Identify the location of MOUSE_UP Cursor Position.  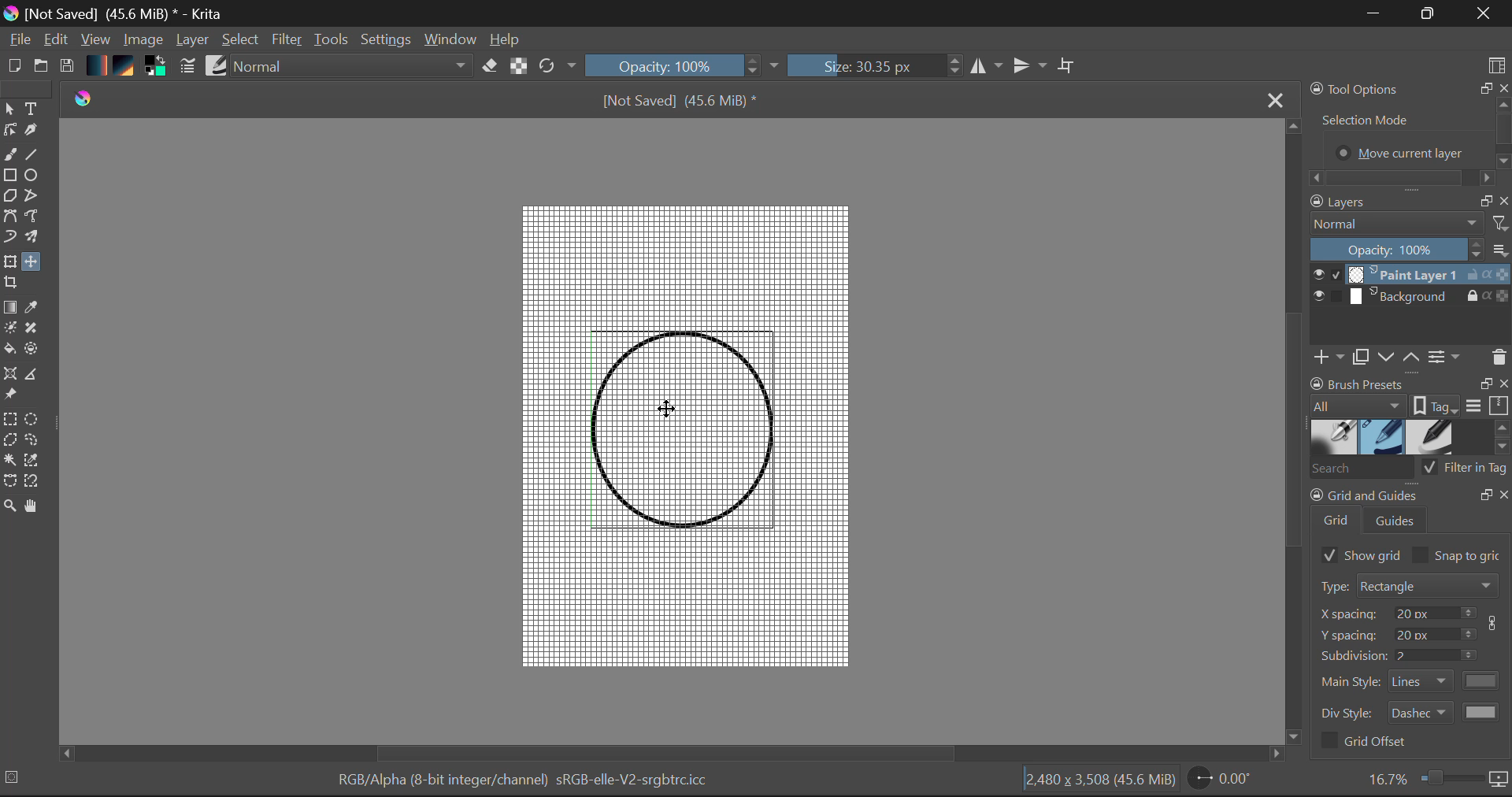
(673, 414).